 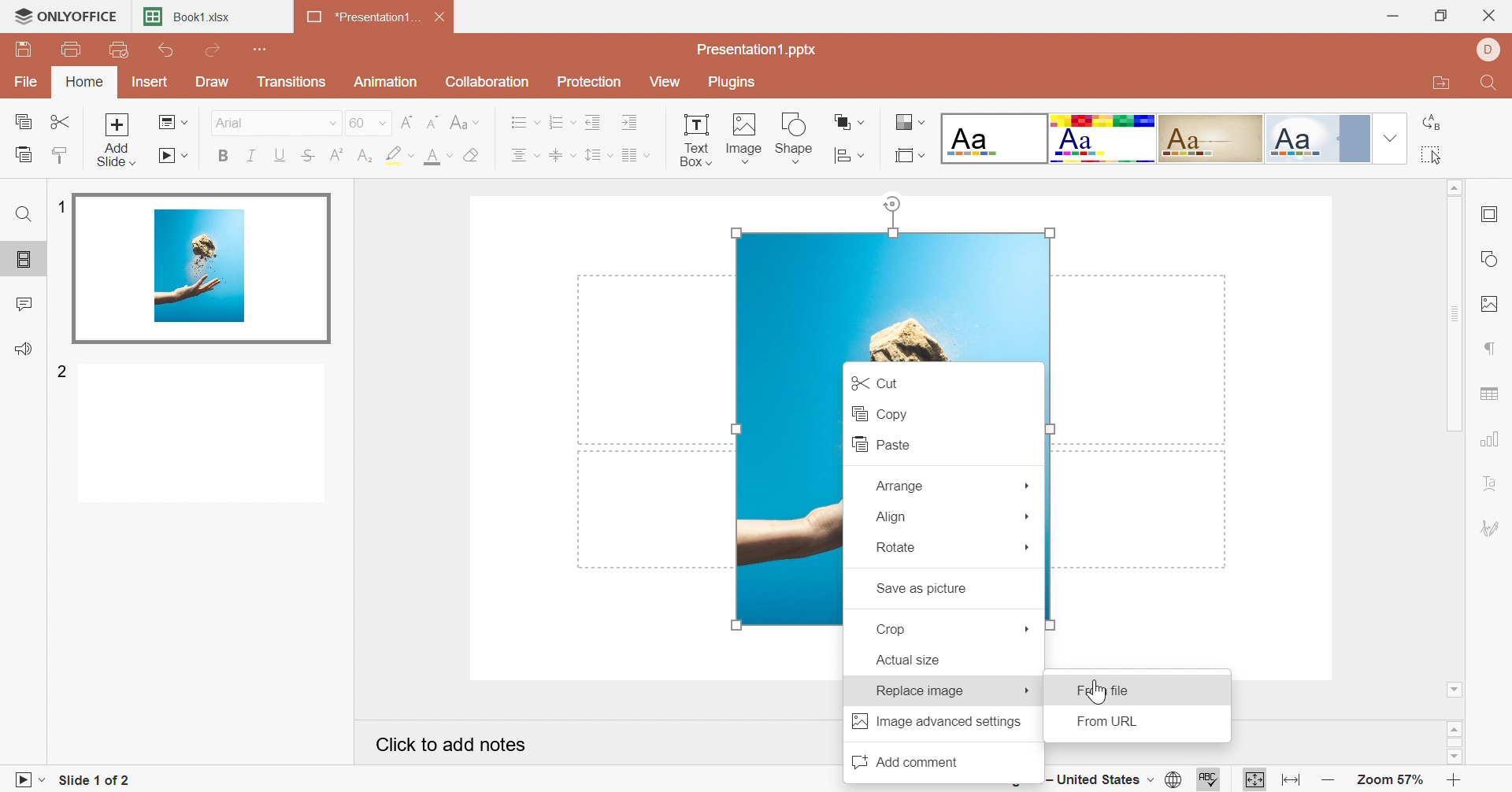 I want to click on Restore Down, so click(x=1443, y=15).